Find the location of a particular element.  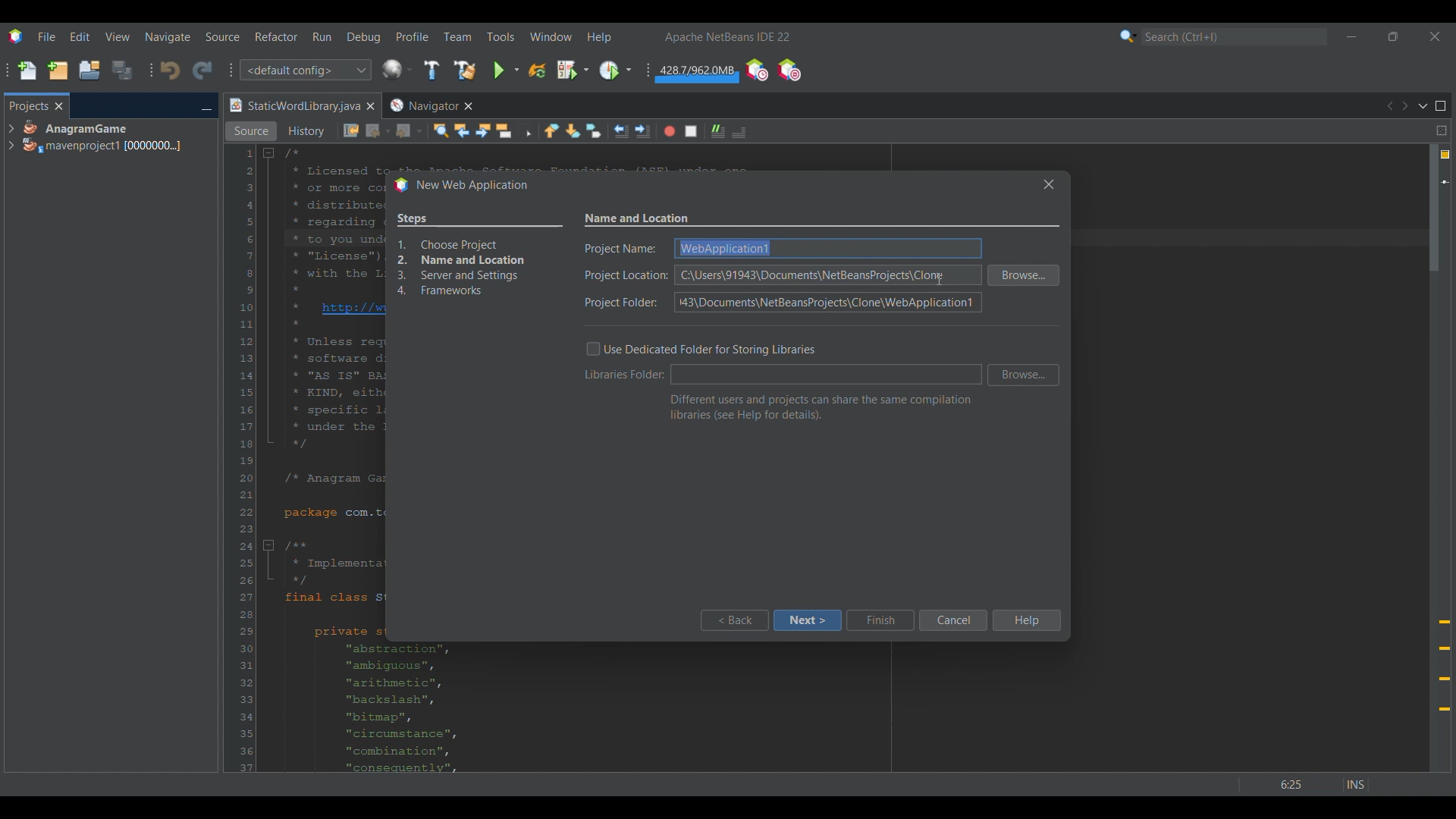

Open project is located at coordinates (89, 70).